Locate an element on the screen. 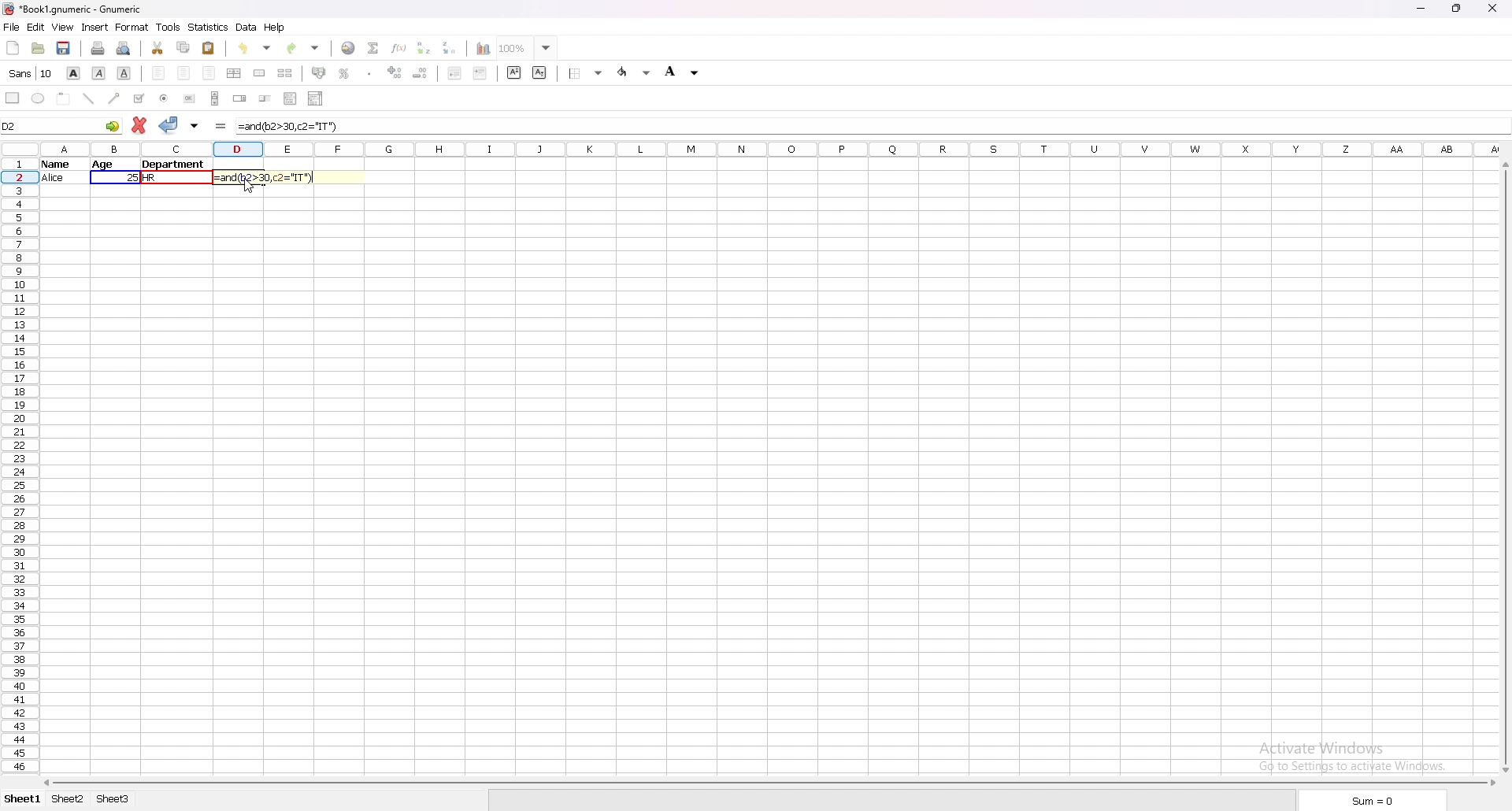 The image size is (1512, 811). formula is located at coordinates (291, 126).